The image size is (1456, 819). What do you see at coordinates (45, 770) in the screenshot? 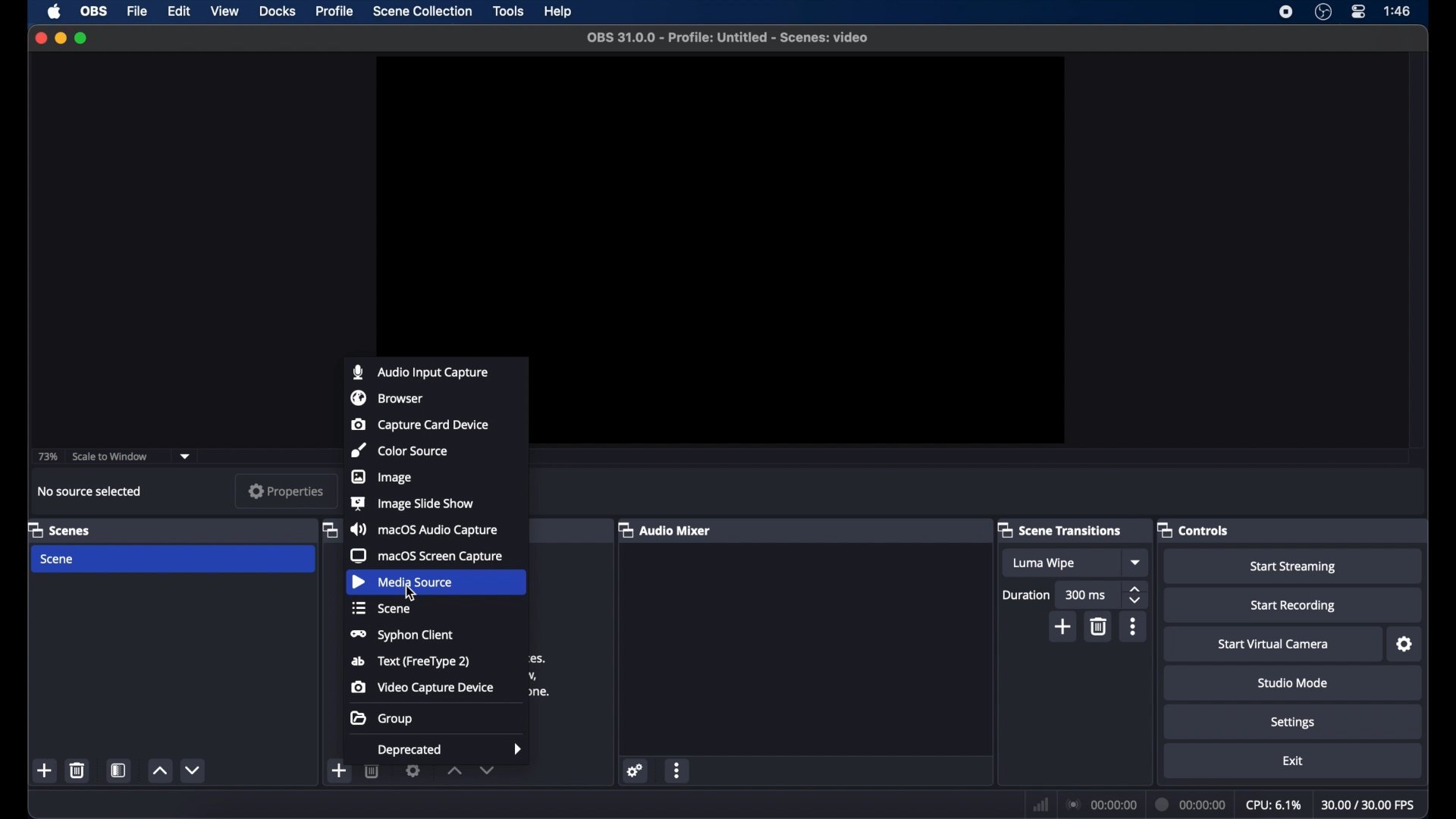
I see `add` at bounding box center [45, 770].